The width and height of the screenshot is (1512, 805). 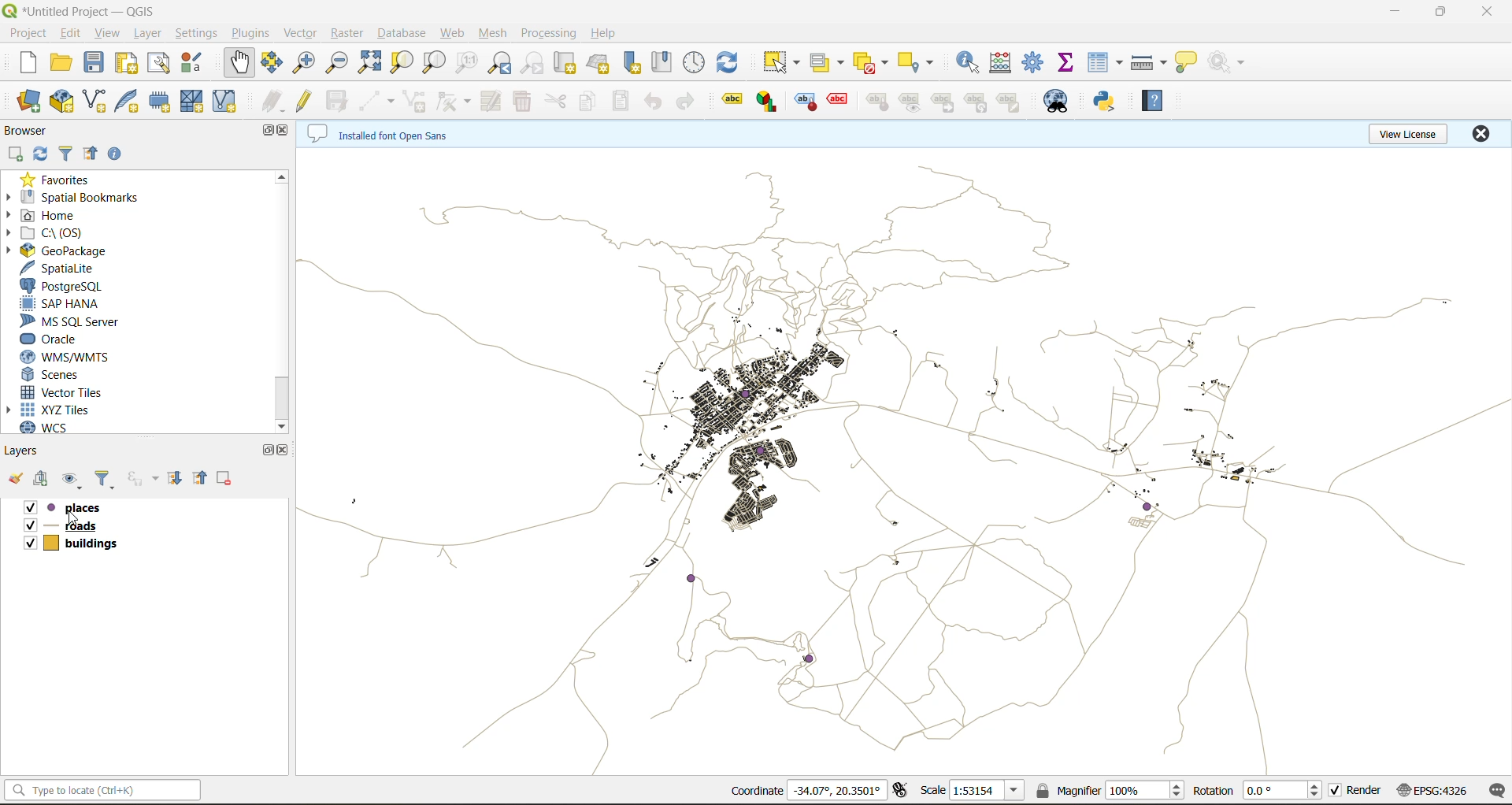 What do you see at coordinates (88, 9) in the screenshot?
I see `file name and app name` at bounding box center [88, 9].